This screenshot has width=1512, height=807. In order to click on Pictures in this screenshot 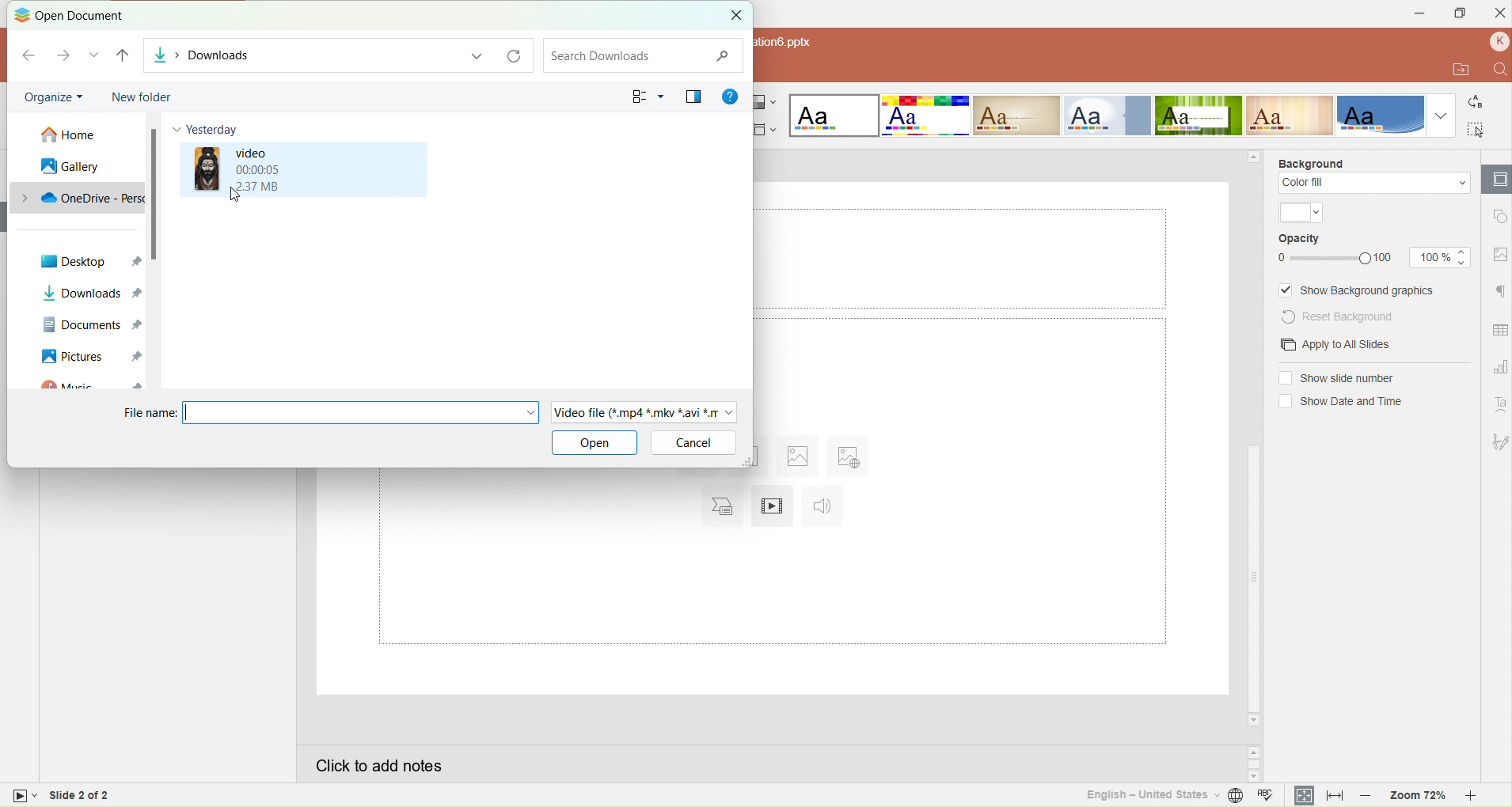, I will do `click(89, 356)`.